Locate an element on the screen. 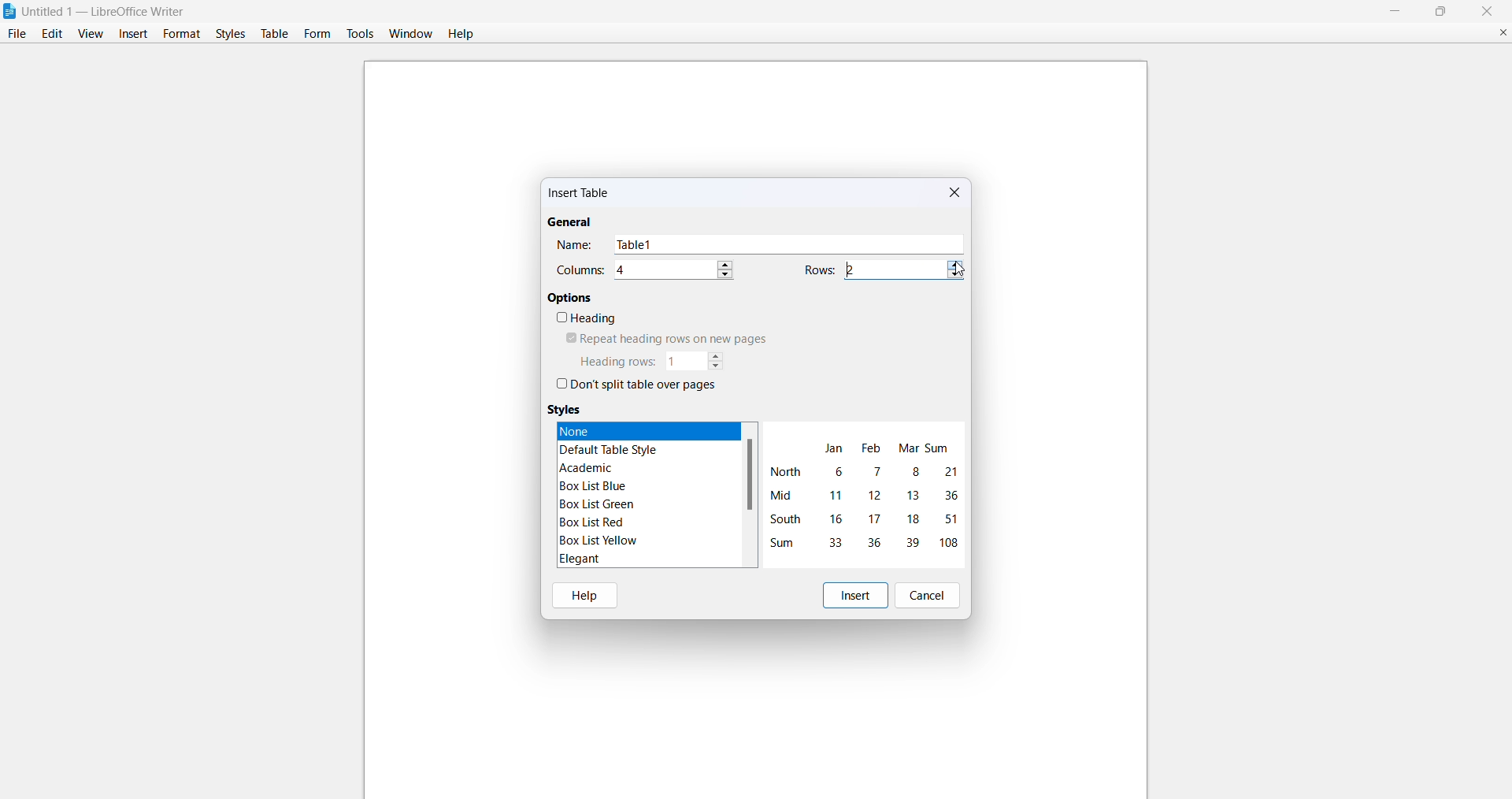 This screenshot has width=1512, height=799. repeat heading rows on new pages 2 is located at coordinates (661, 339).